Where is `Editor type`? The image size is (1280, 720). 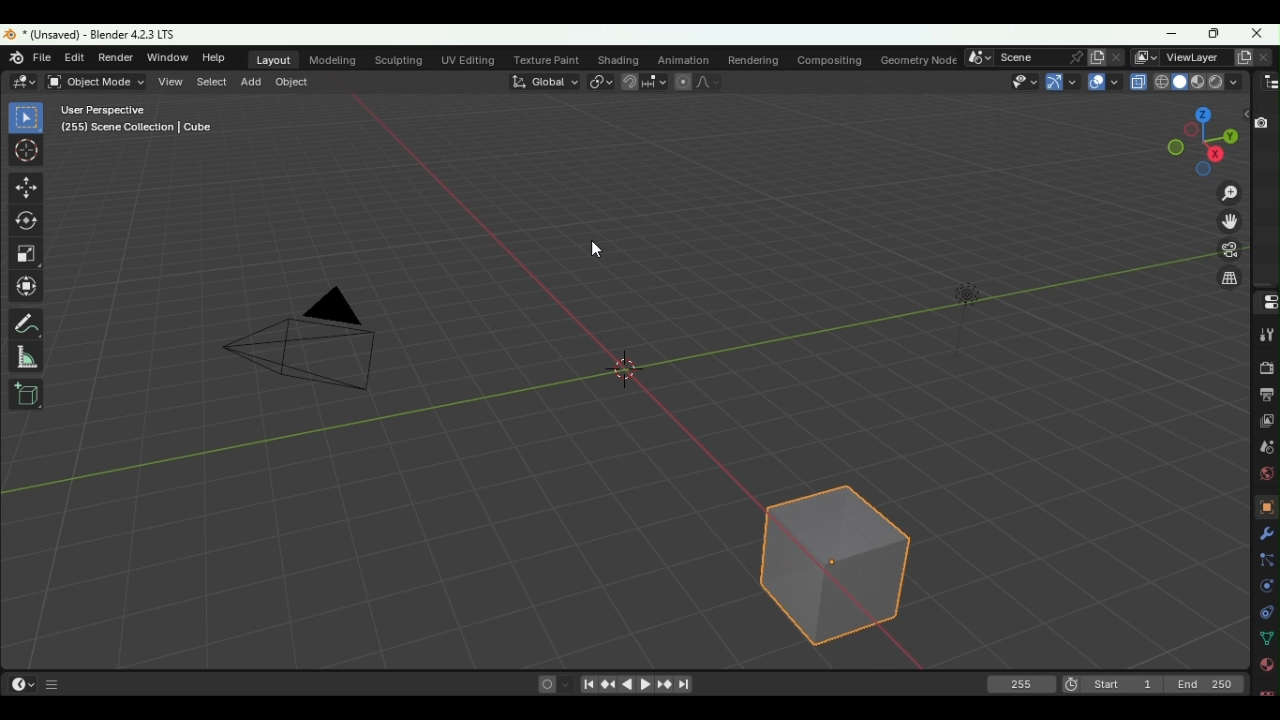
Editor type is located at coordinates (1265, 302).